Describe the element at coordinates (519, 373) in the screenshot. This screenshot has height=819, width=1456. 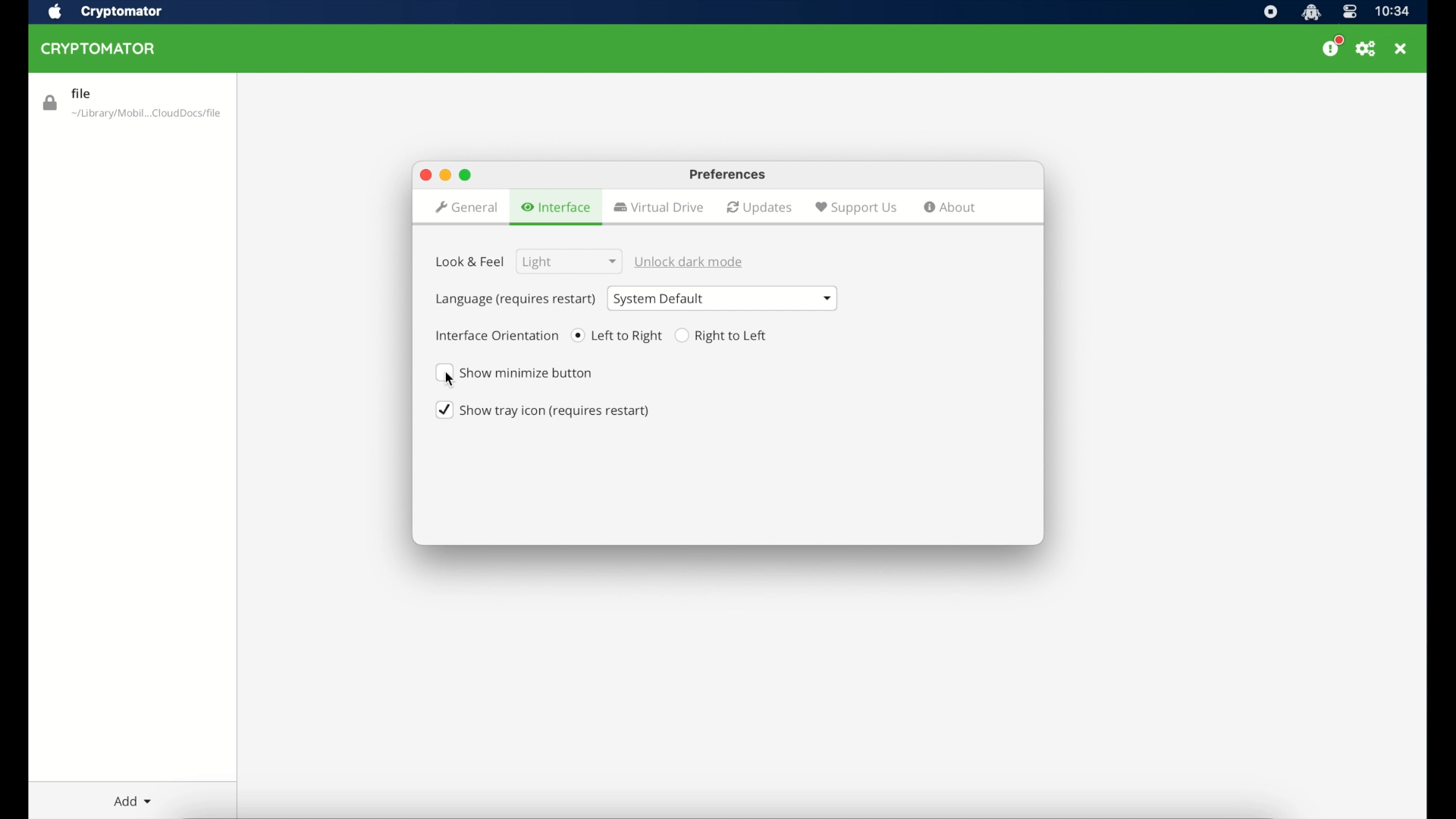
I see `checkbox` at that location.